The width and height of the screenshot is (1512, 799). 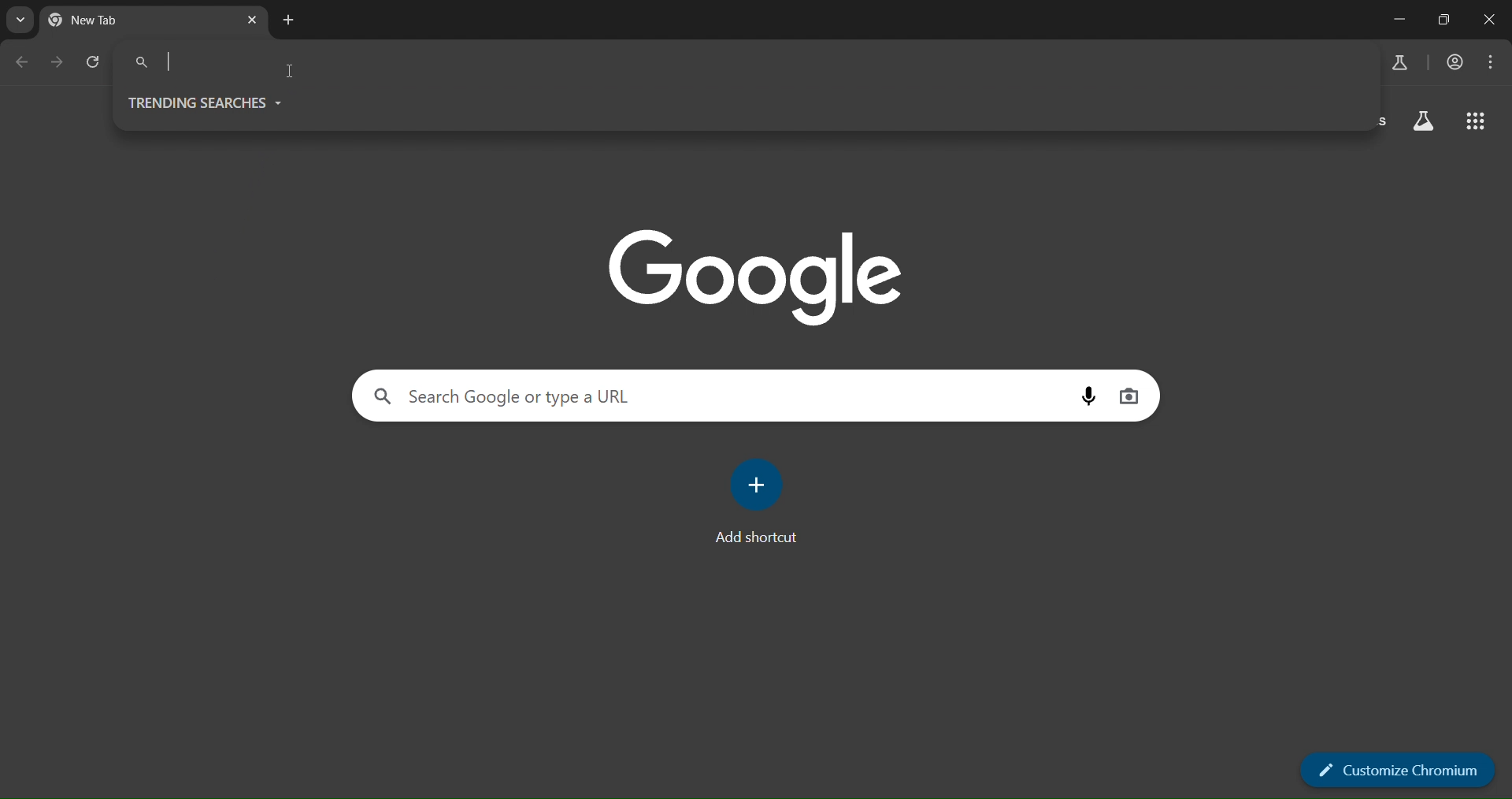 What do you see at coordinates (1088, 396) in the screenshot?
I see `voice search` at bounding box center [1088, 396].